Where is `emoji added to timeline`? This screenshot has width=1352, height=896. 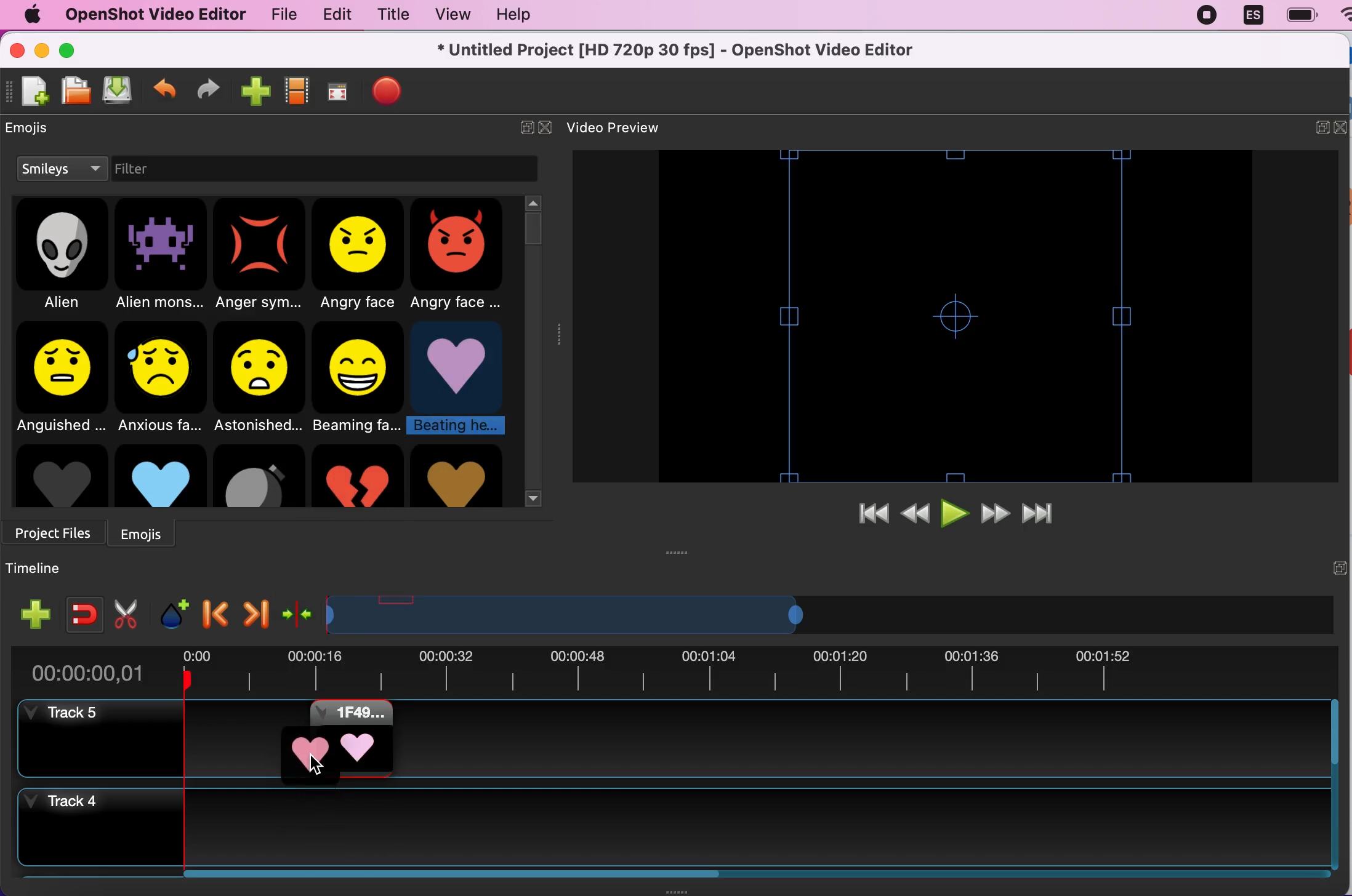 emoji added to timeline is located at coordinates (336, 738).